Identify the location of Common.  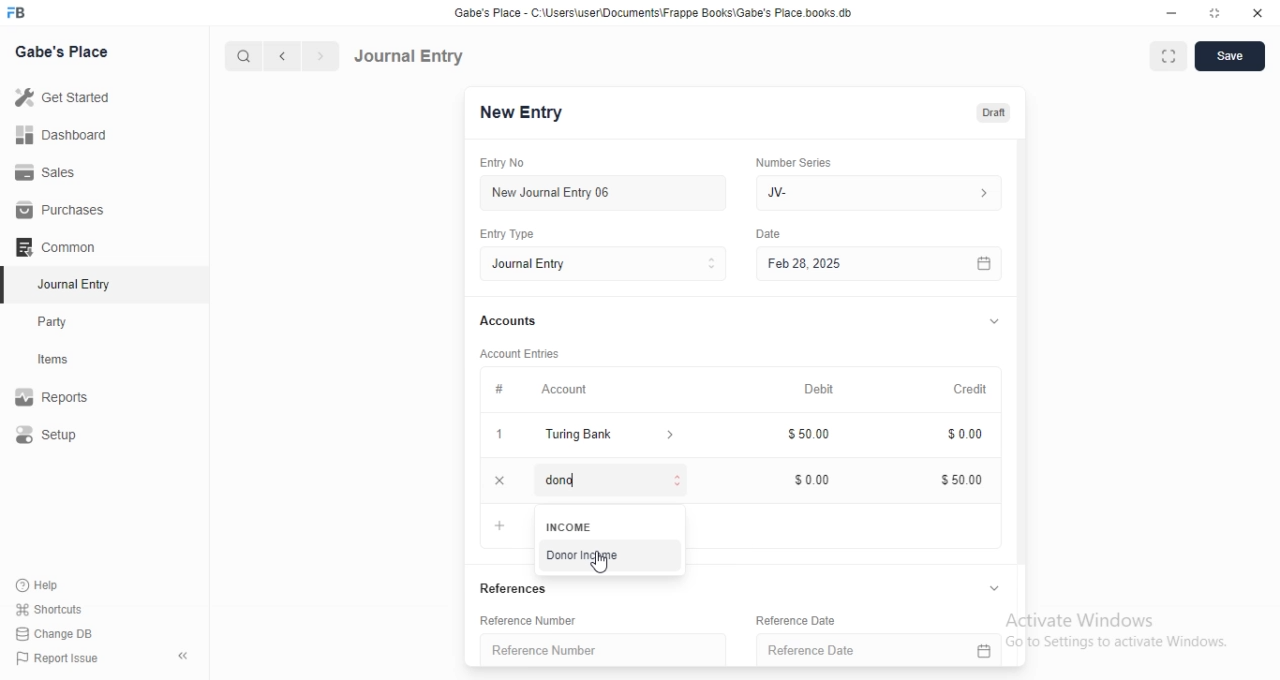
(61, 247).